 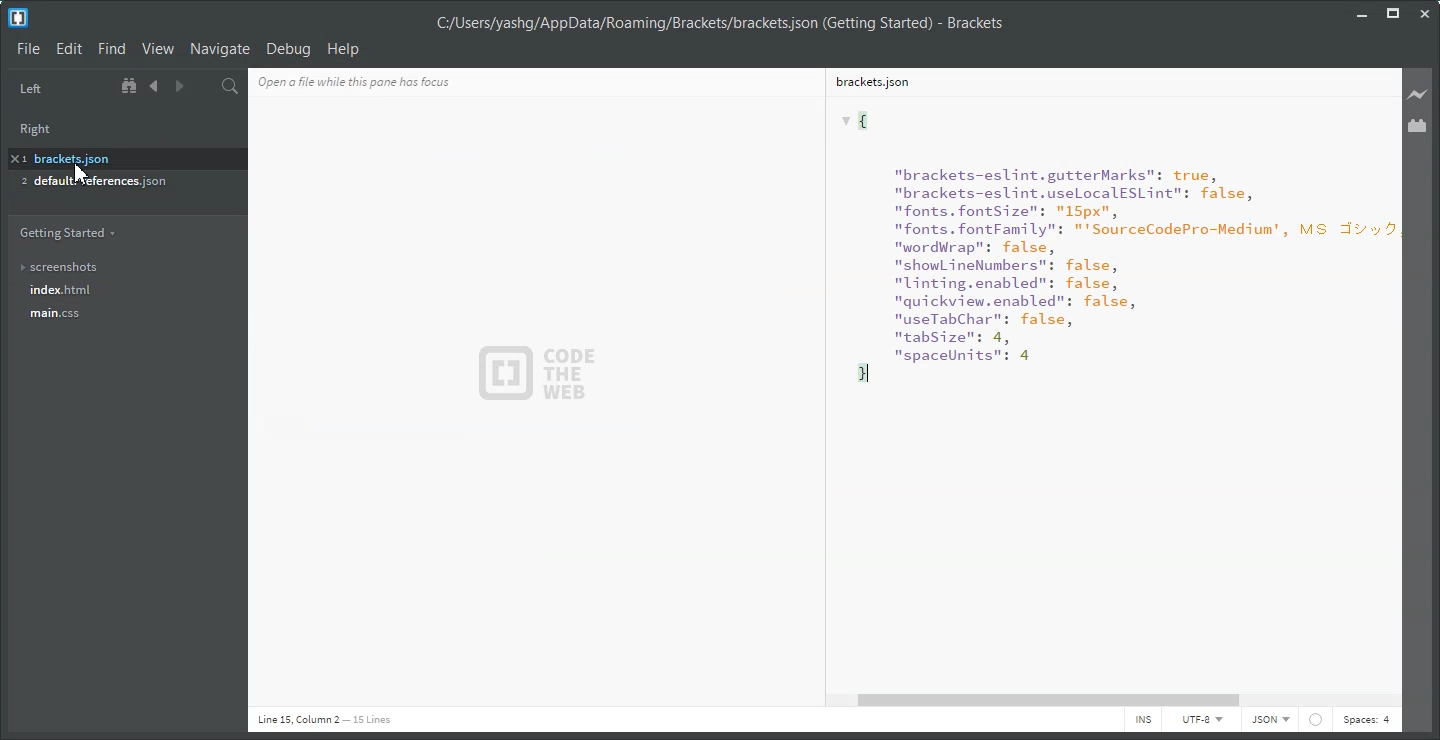 What do you see at coordinates (1106, 392) in the screenshot?
I see `Text` at bounding box center [1106, 392].